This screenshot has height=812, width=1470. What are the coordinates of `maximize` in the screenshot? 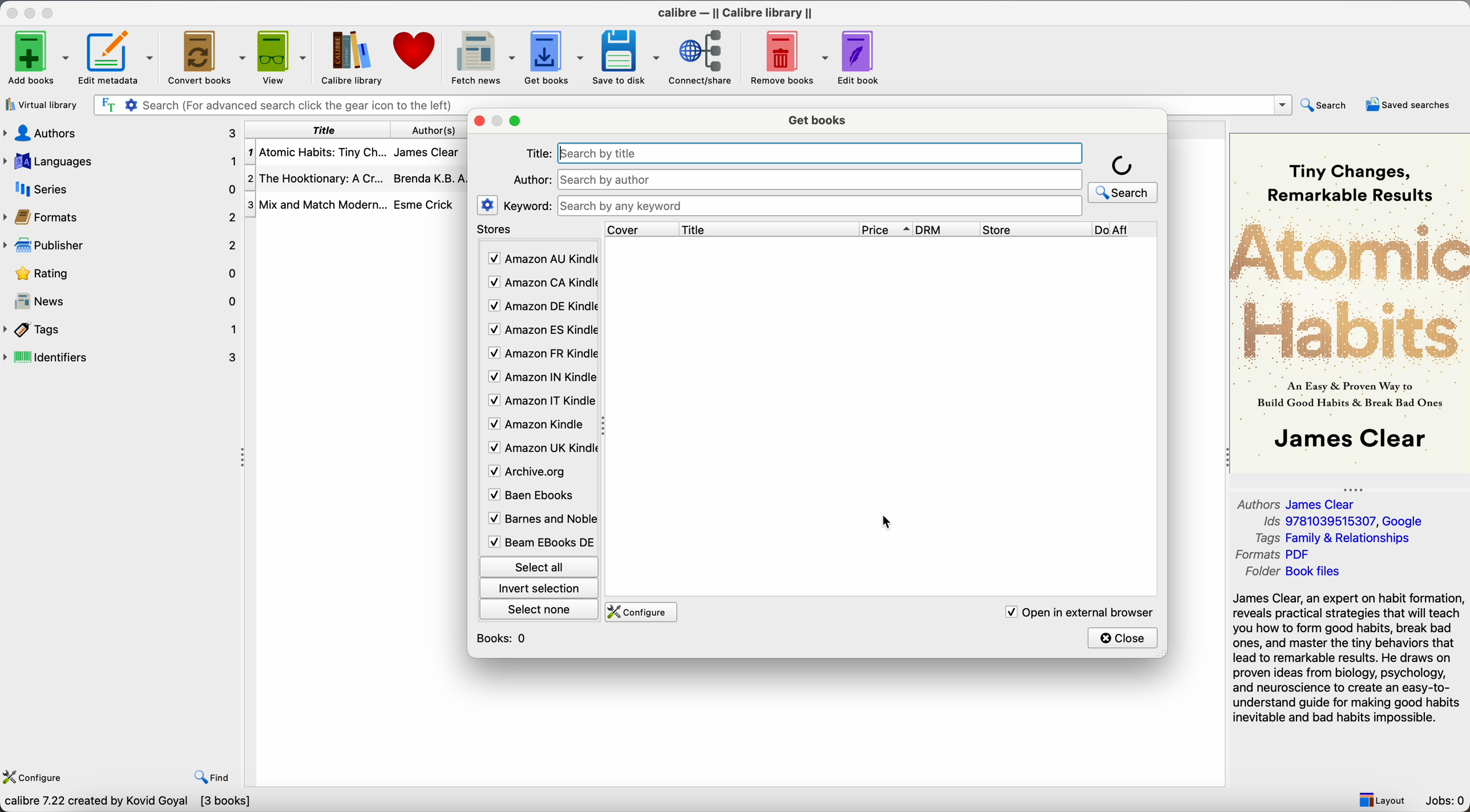 It's located at (50, 11).